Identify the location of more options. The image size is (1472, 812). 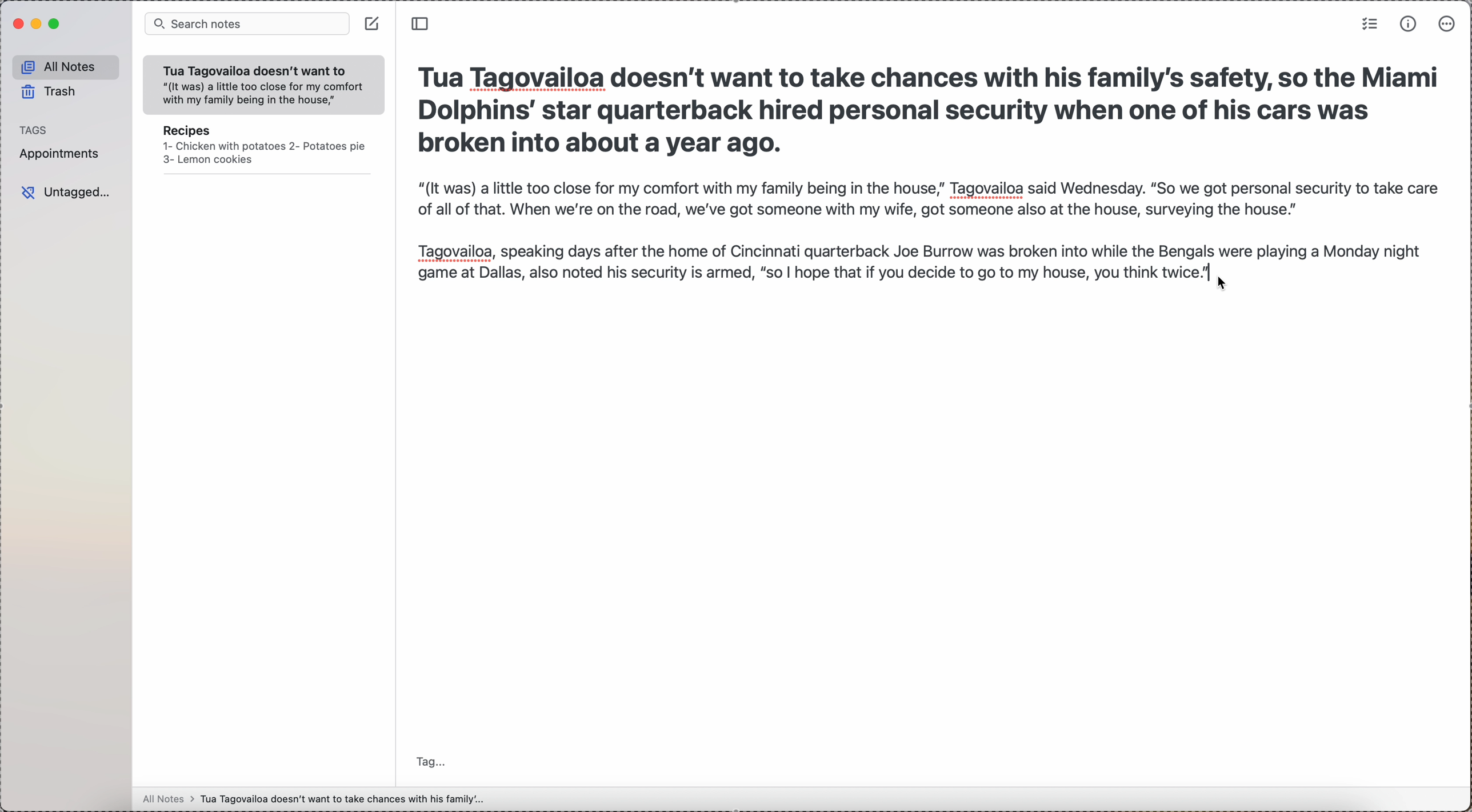
(1447, 25).